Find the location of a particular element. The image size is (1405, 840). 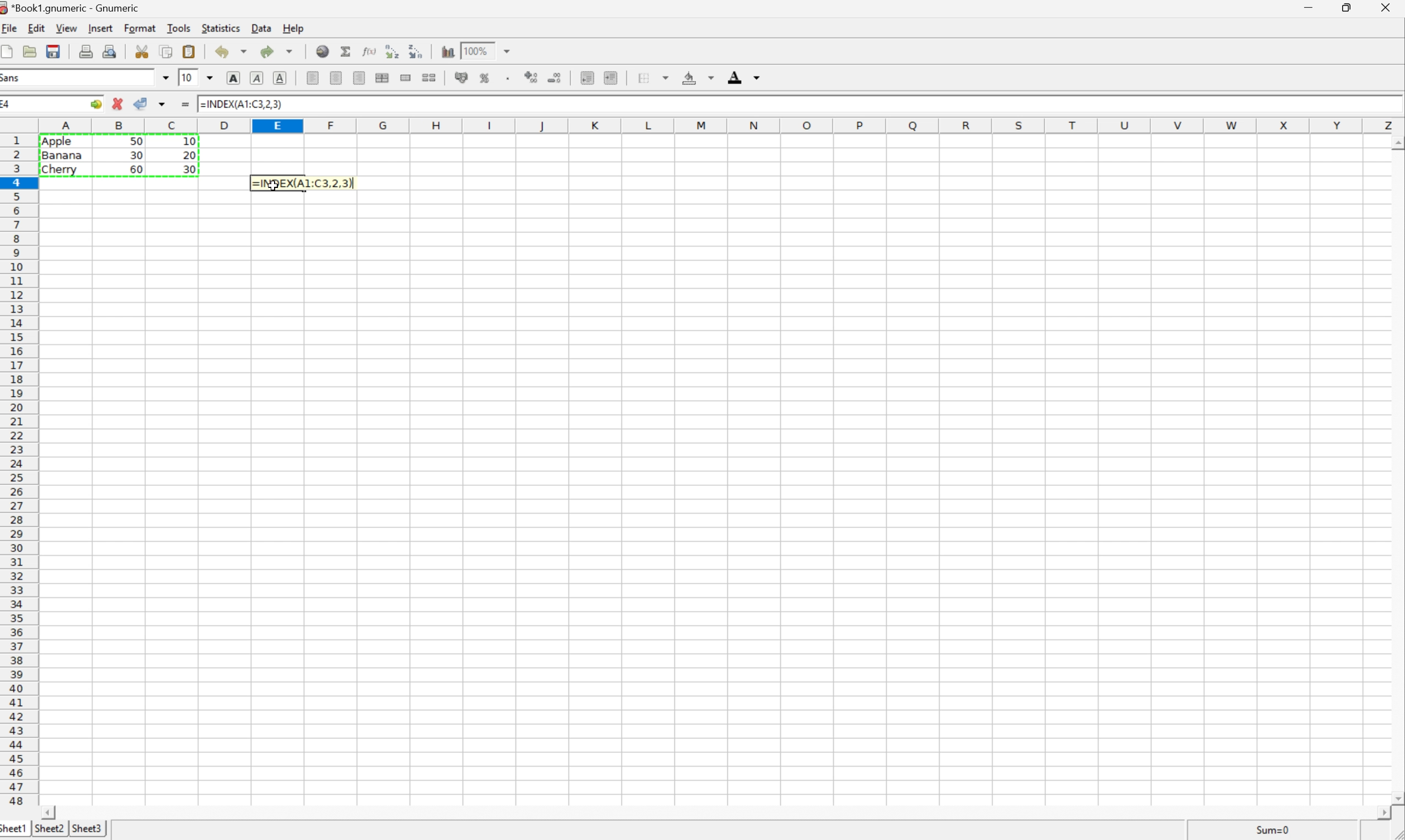

font is located at coordinates (13, 79).